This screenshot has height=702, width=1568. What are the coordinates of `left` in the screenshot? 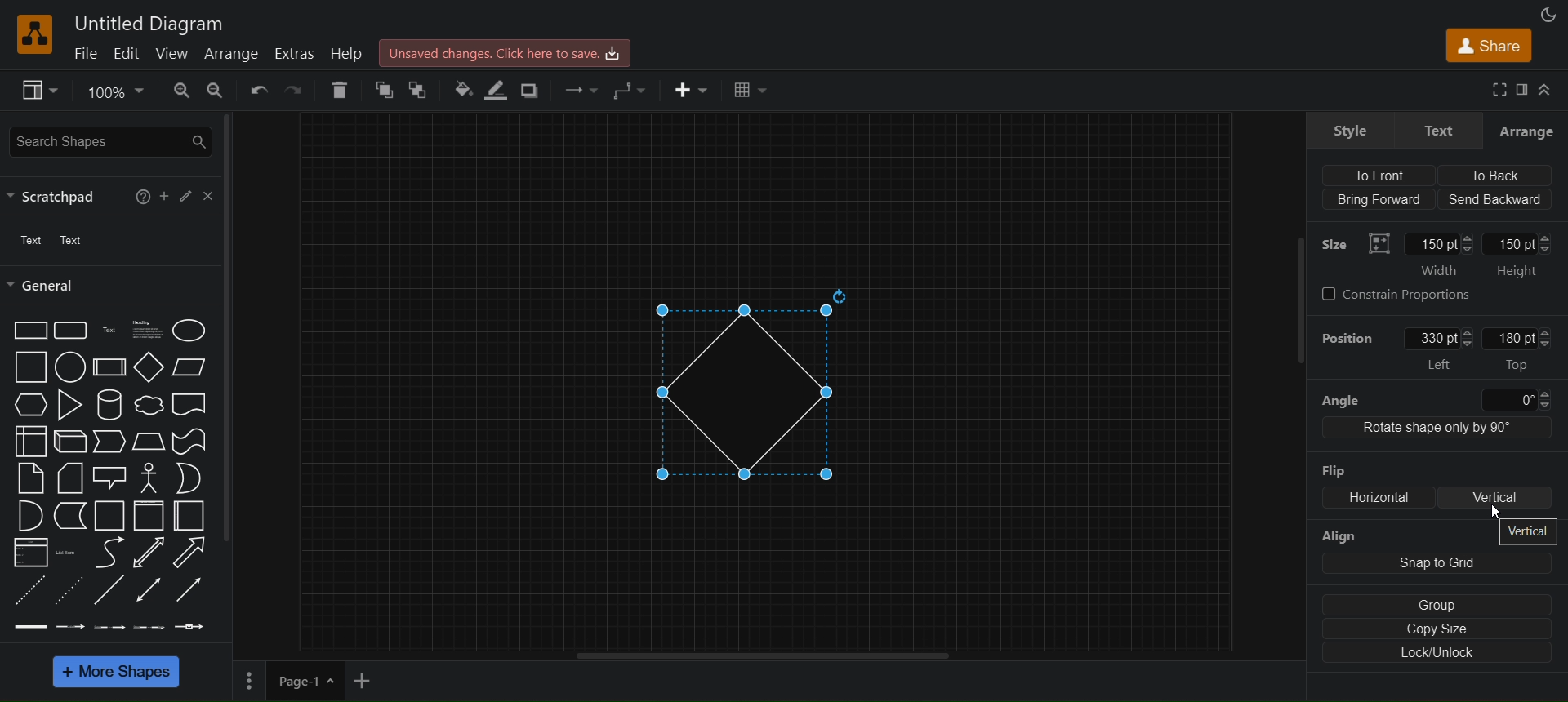 It's located at (1442, 348).